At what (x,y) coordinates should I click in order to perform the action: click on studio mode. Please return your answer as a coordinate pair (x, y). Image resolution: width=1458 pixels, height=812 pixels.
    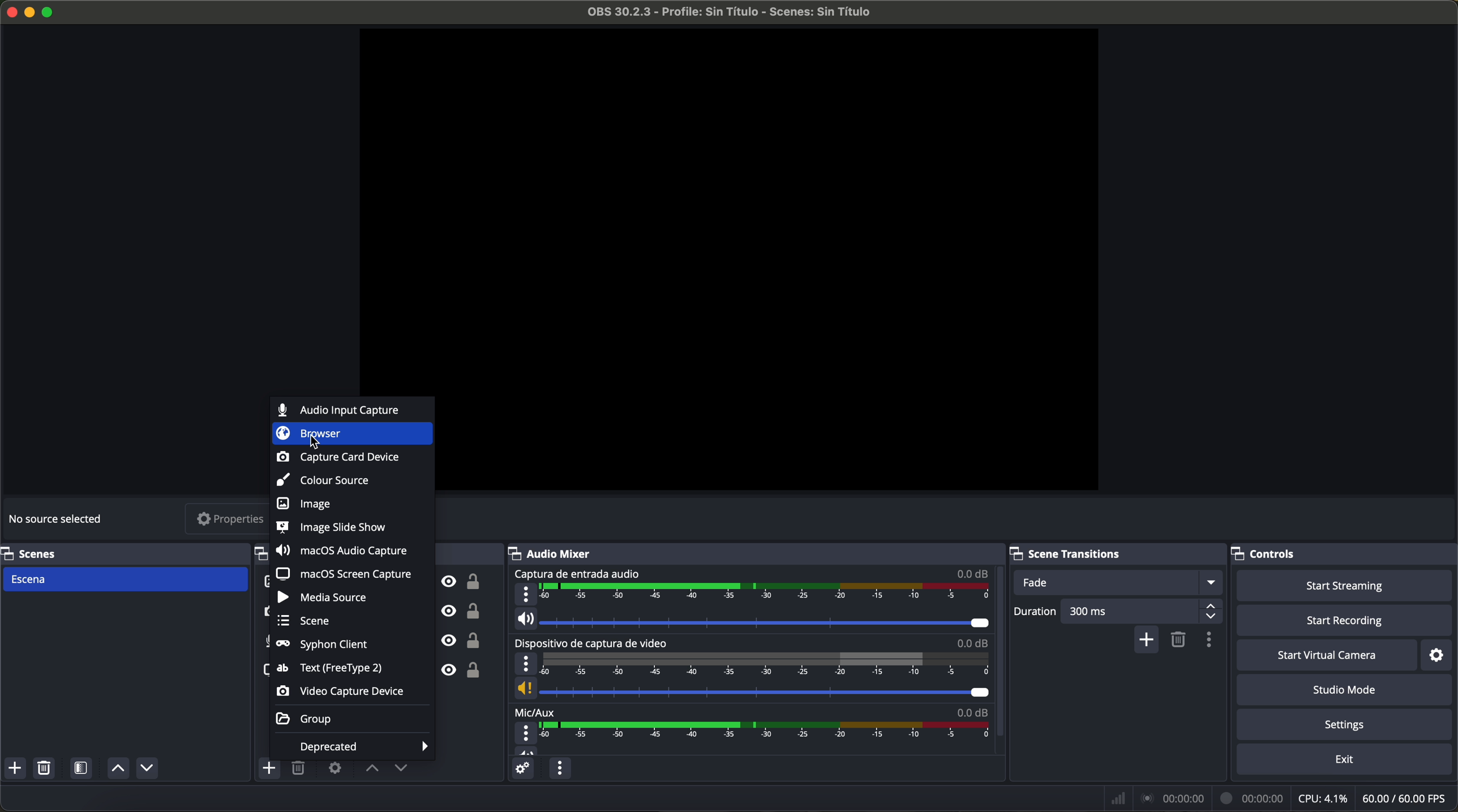
    Looking at the image, I should click on (1347, 691).